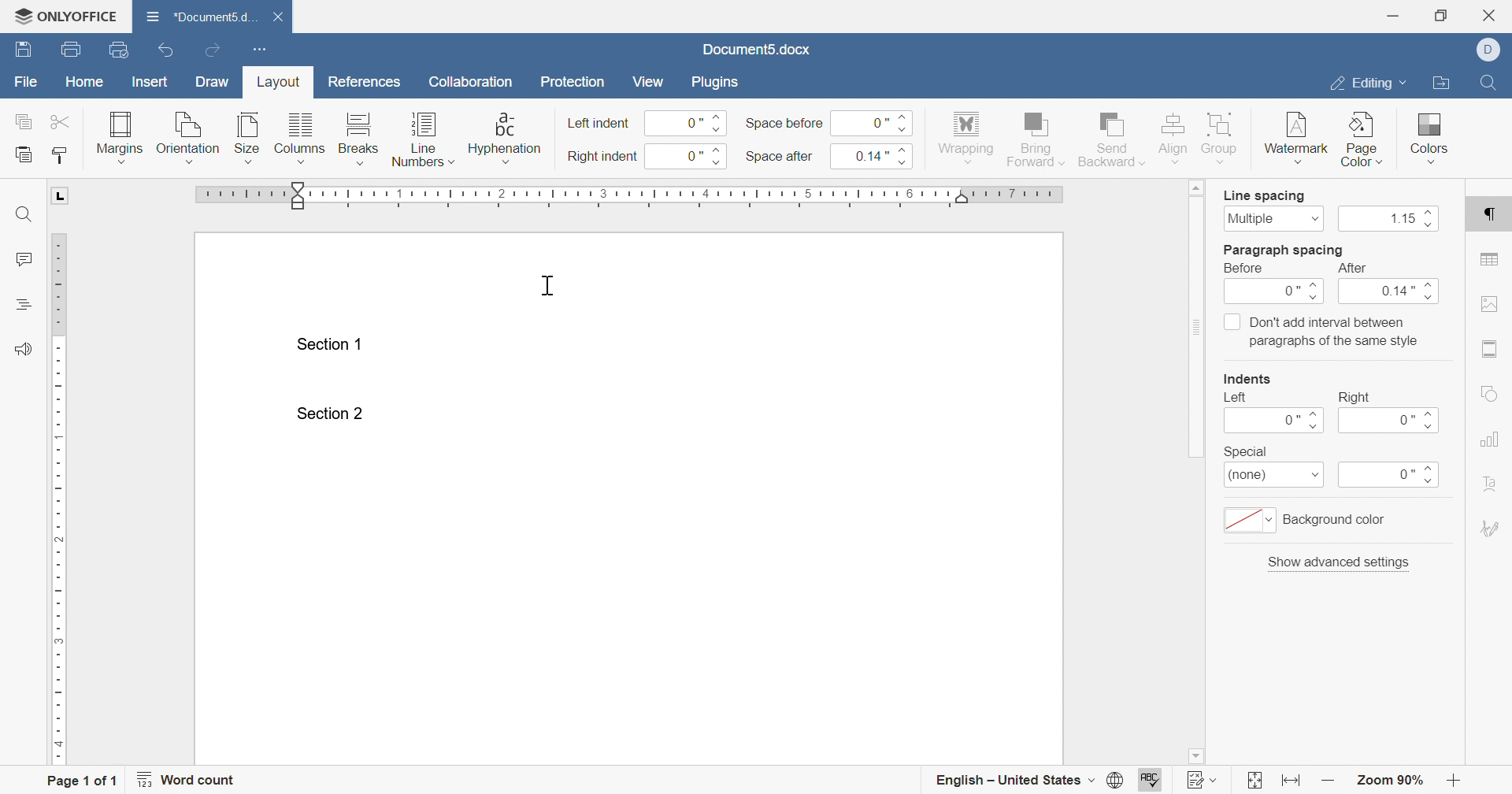  What do you see at coordinates (504, 136) in the screenshot?
I see `hyphenation` at bounding box center [504, 136].